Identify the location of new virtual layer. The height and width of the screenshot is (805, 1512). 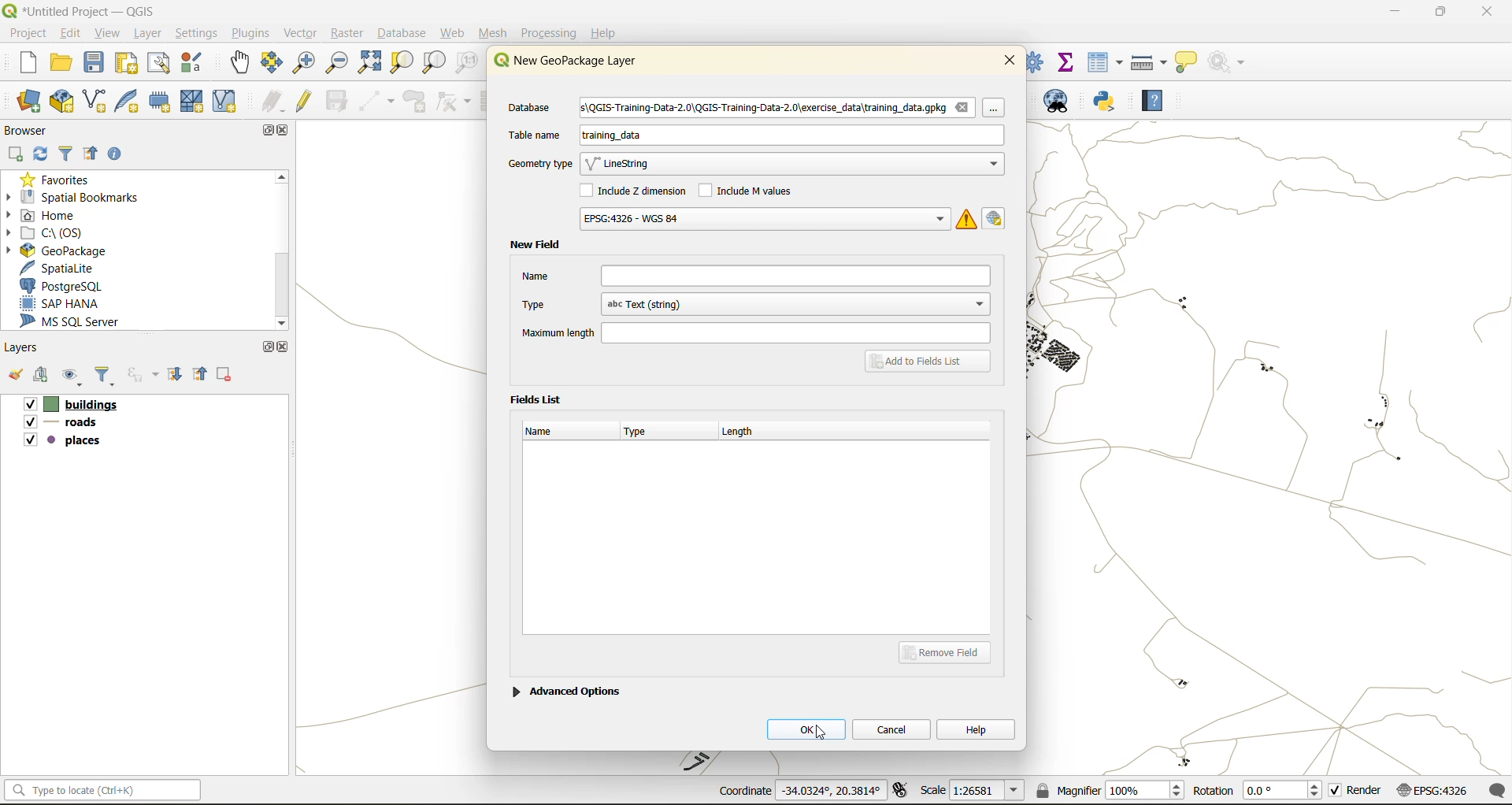
(224, 102).